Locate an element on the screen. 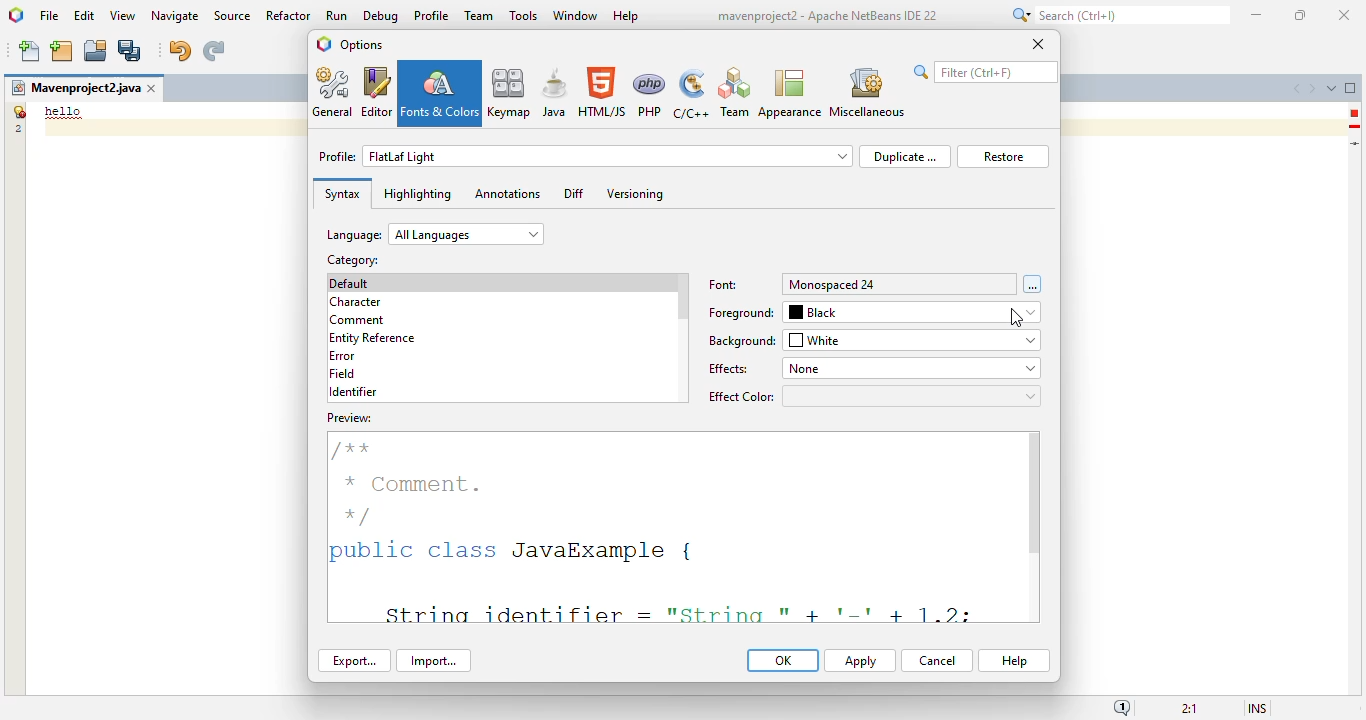 This screenshot has height=720, width=1366. identifier is located at coordinates (353, 392).